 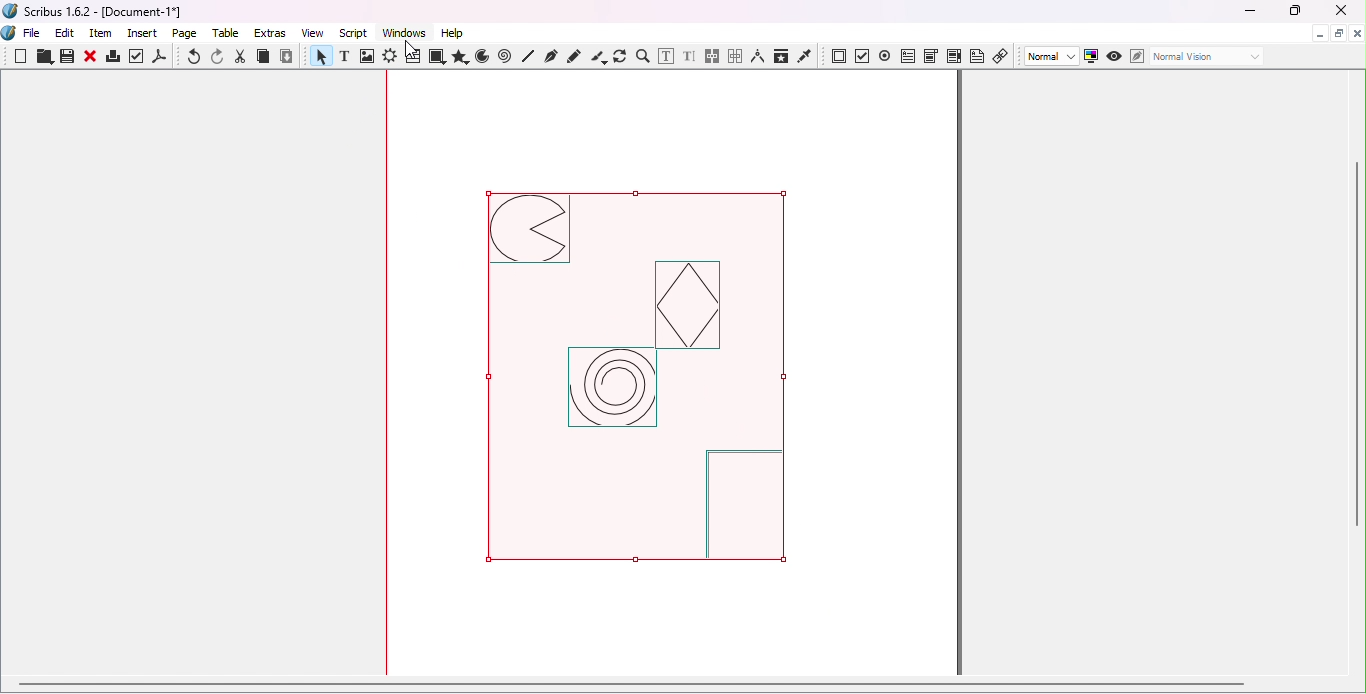 I want to click on Close, so click(x=90, y=58).